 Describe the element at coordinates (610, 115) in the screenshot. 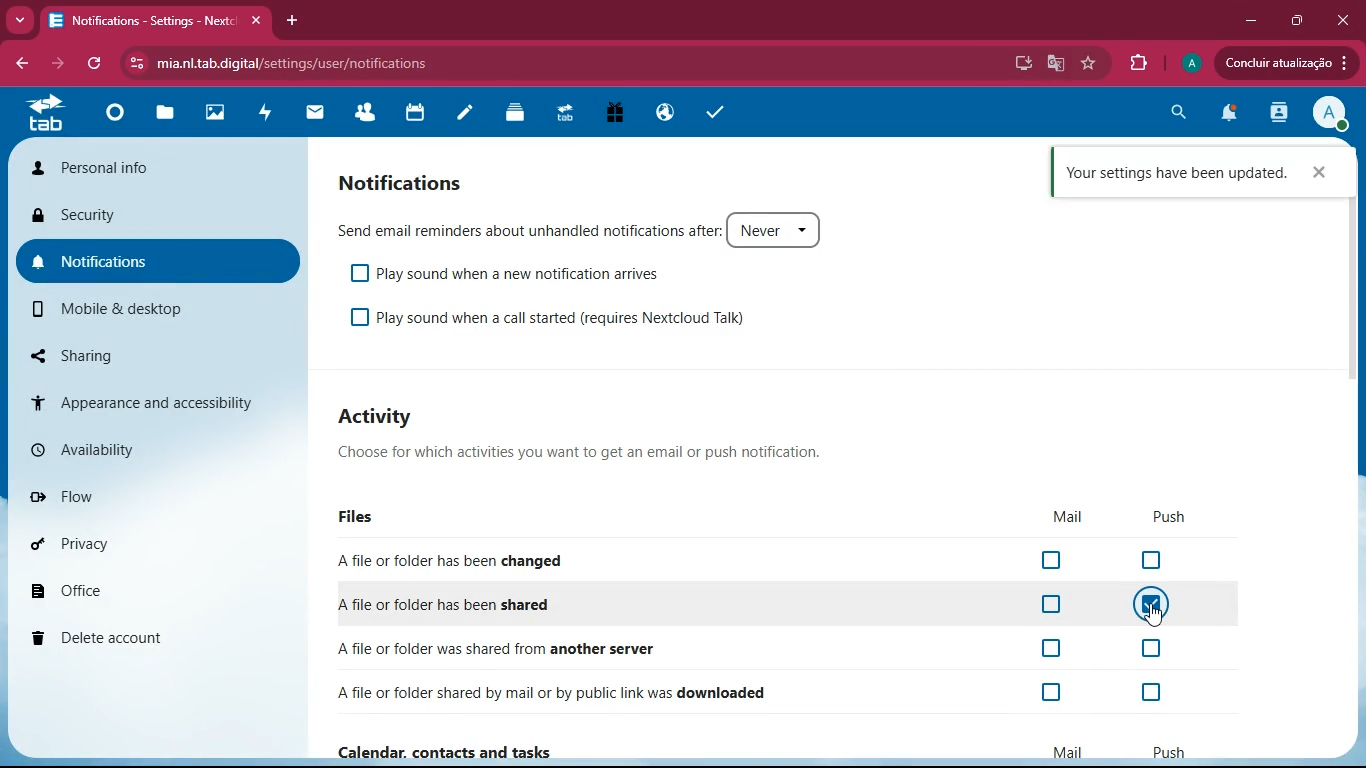

I see `gift` at that location.